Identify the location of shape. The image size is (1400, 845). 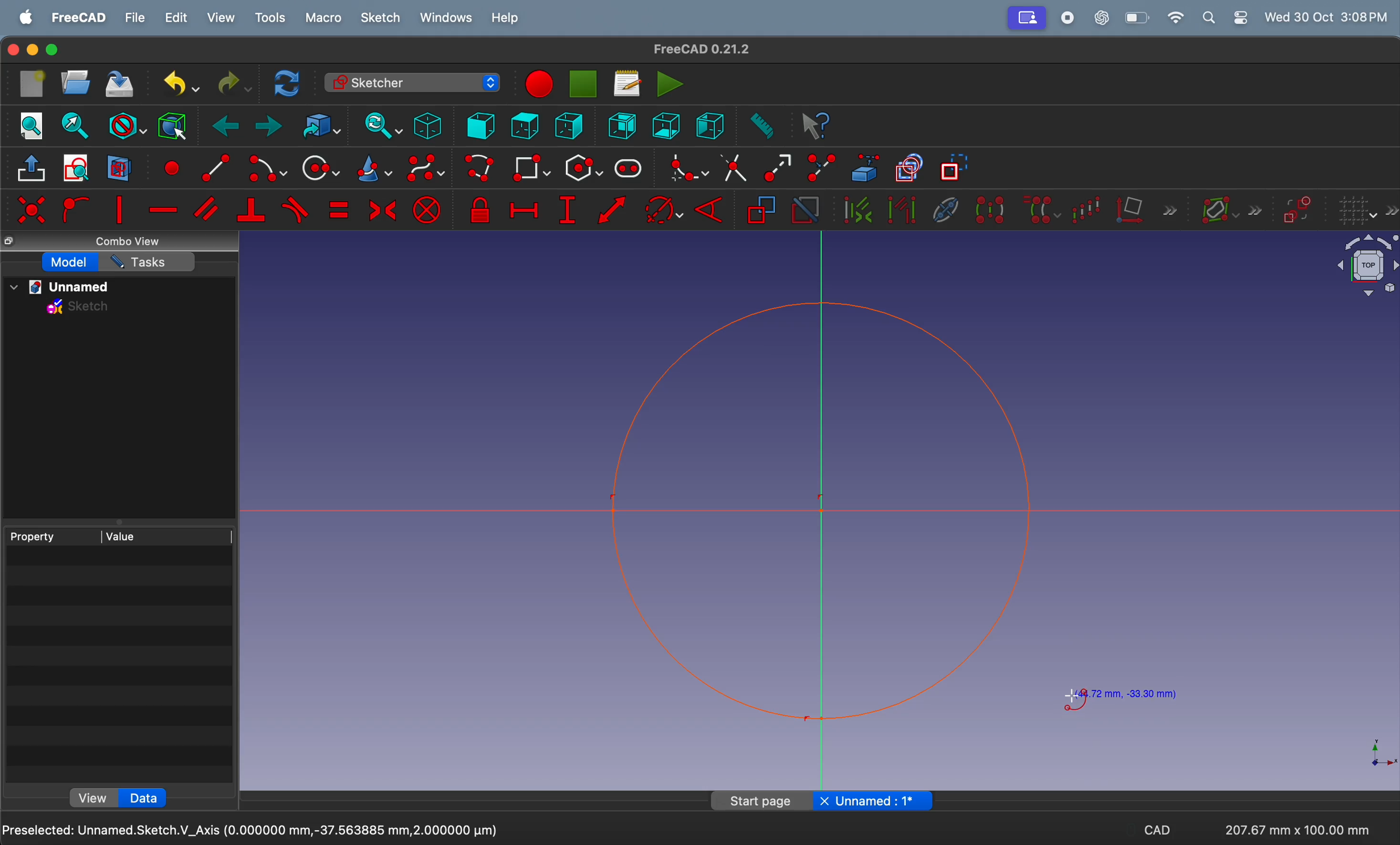
(819, 507).